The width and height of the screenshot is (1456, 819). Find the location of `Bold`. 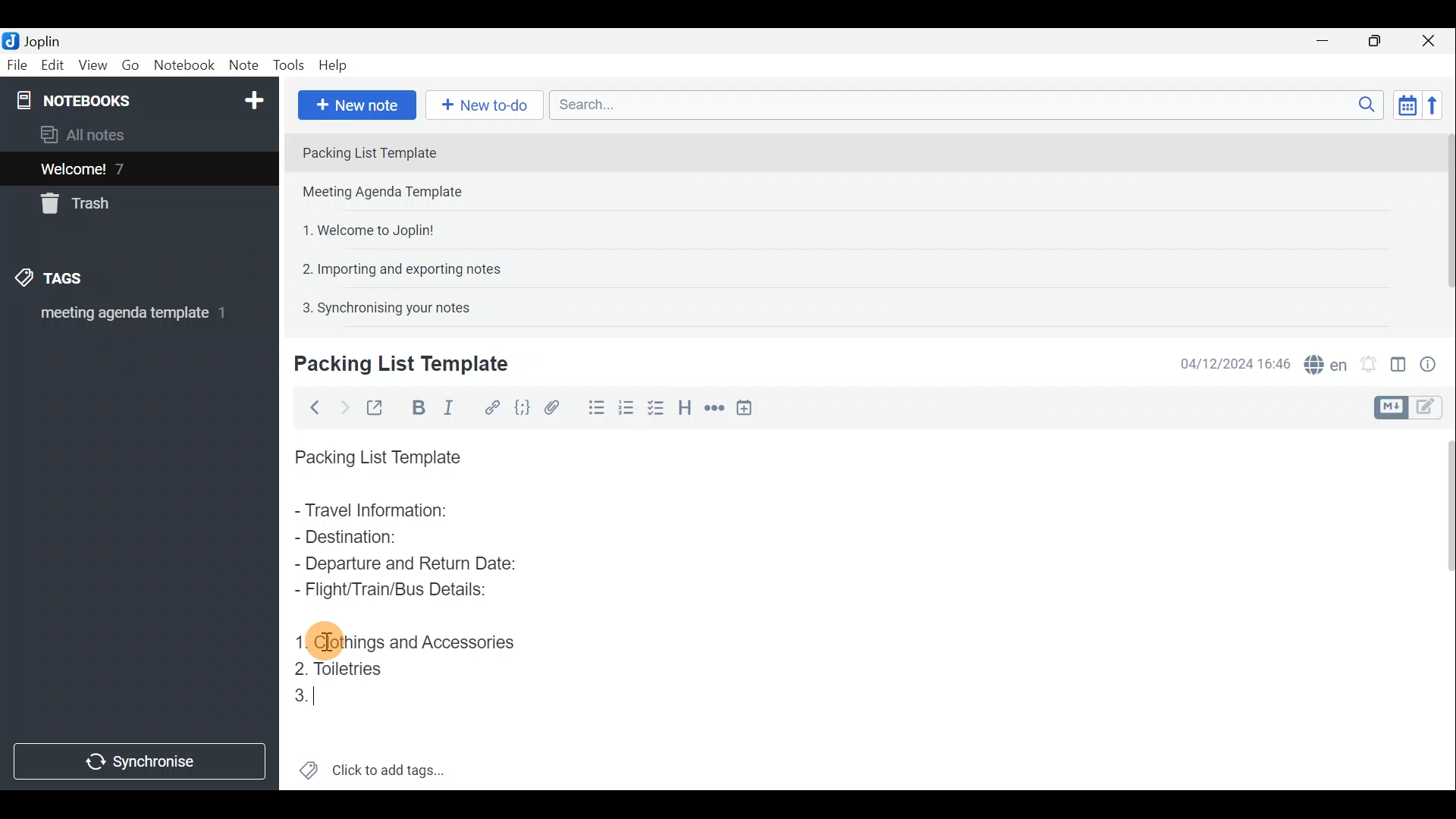

Bold is located at coordinates (416, 406).